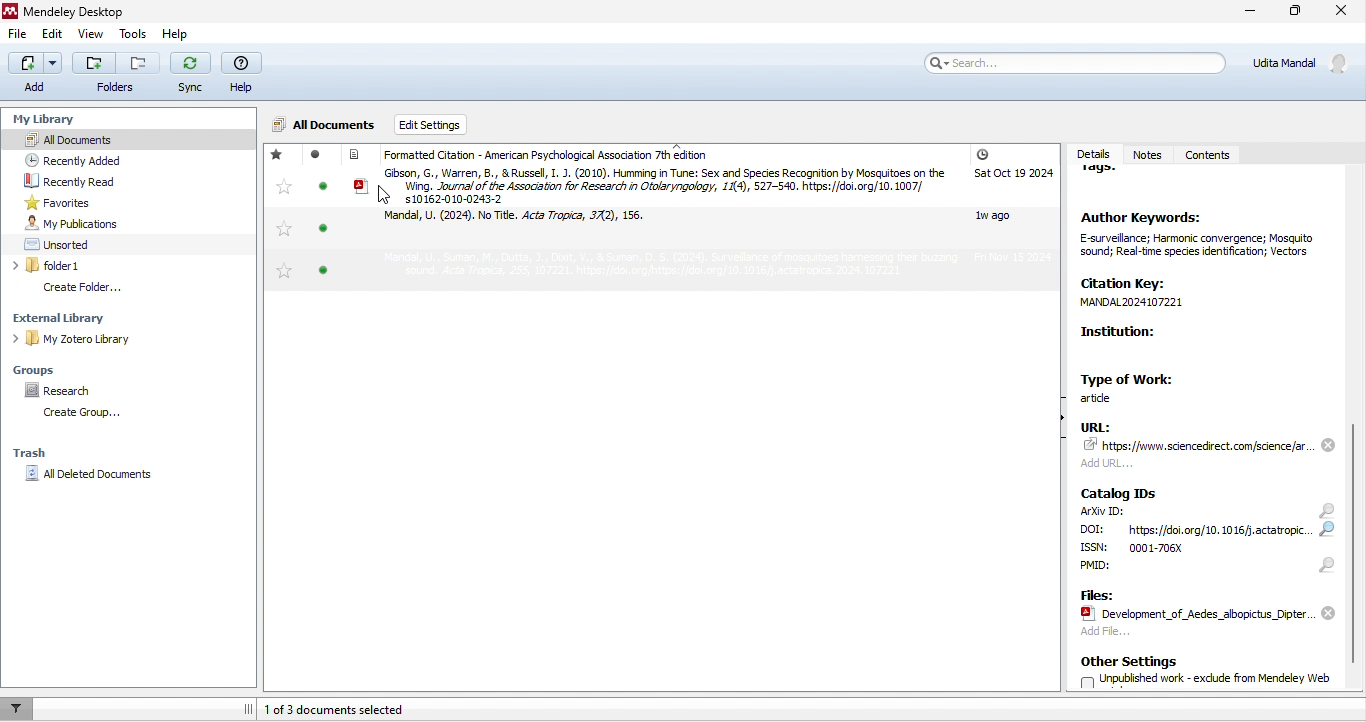  What do you see at coordinates (325, 126) in the screenshot?
I see `All documents` at bounding box center [325, 126].